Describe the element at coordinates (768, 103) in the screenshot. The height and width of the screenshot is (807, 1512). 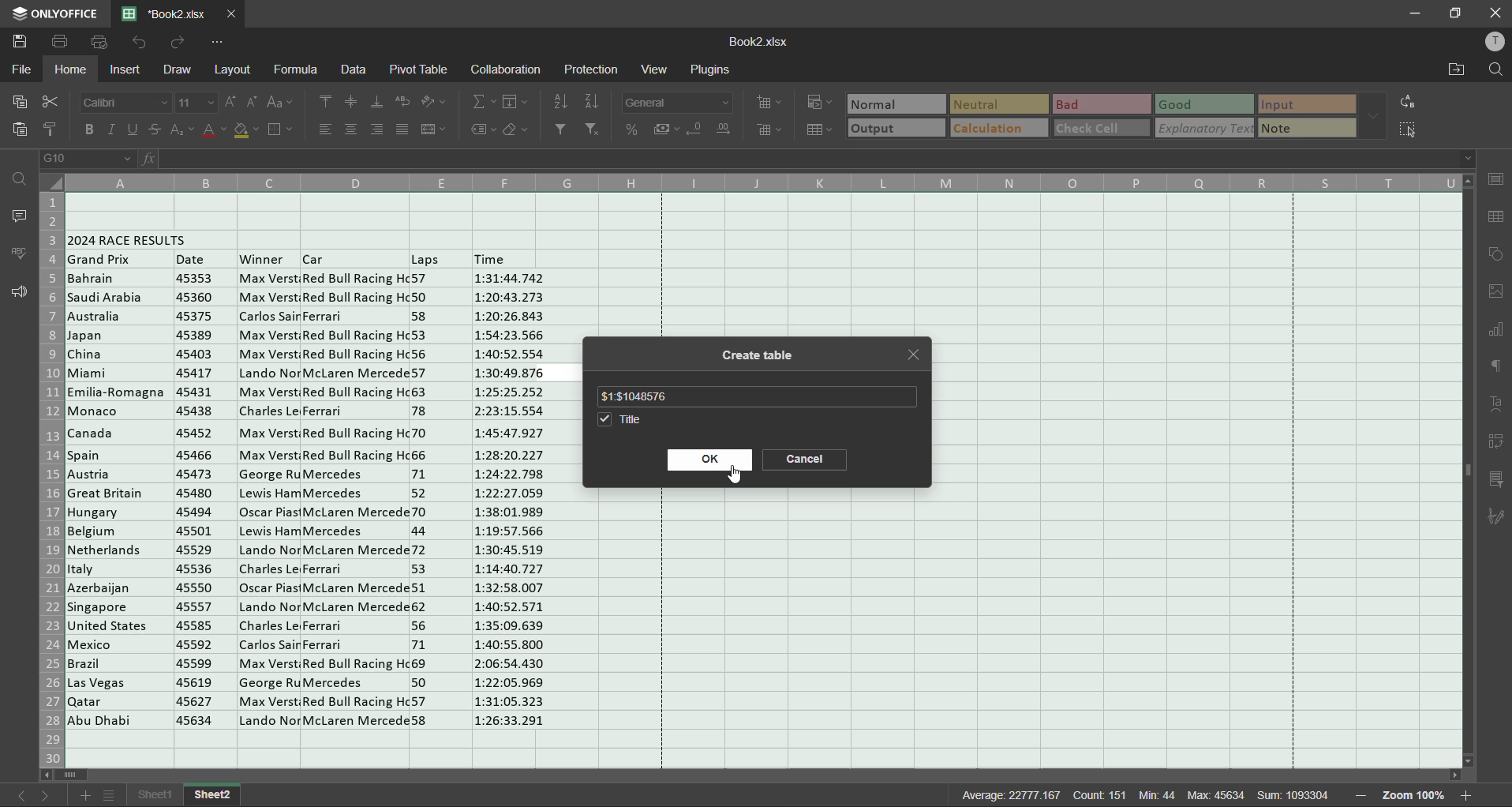
I see `insert cells` at that location.